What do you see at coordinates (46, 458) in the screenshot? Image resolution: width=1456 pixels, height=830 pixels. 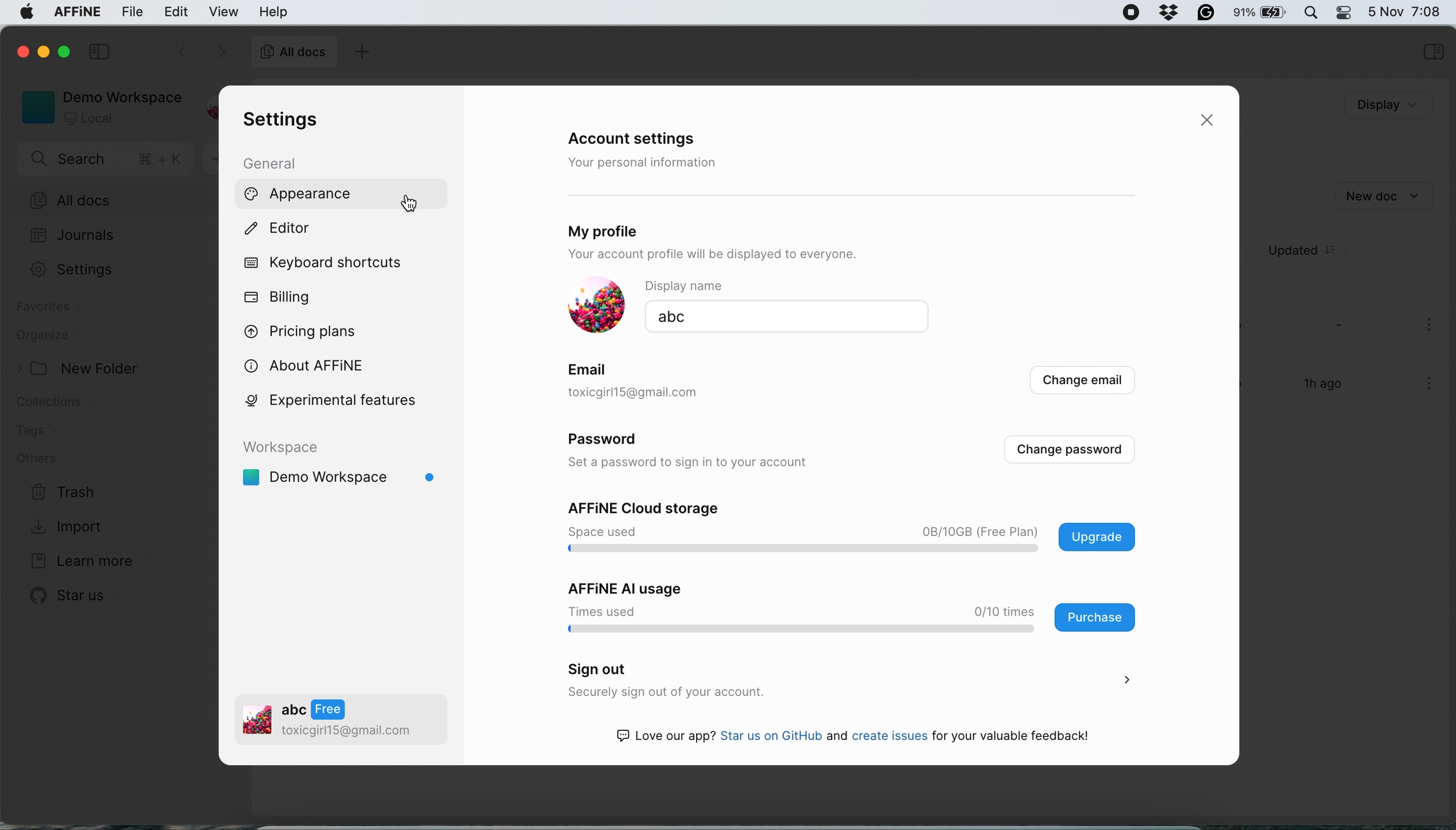 I see `others` at bounding box center [46, 458].